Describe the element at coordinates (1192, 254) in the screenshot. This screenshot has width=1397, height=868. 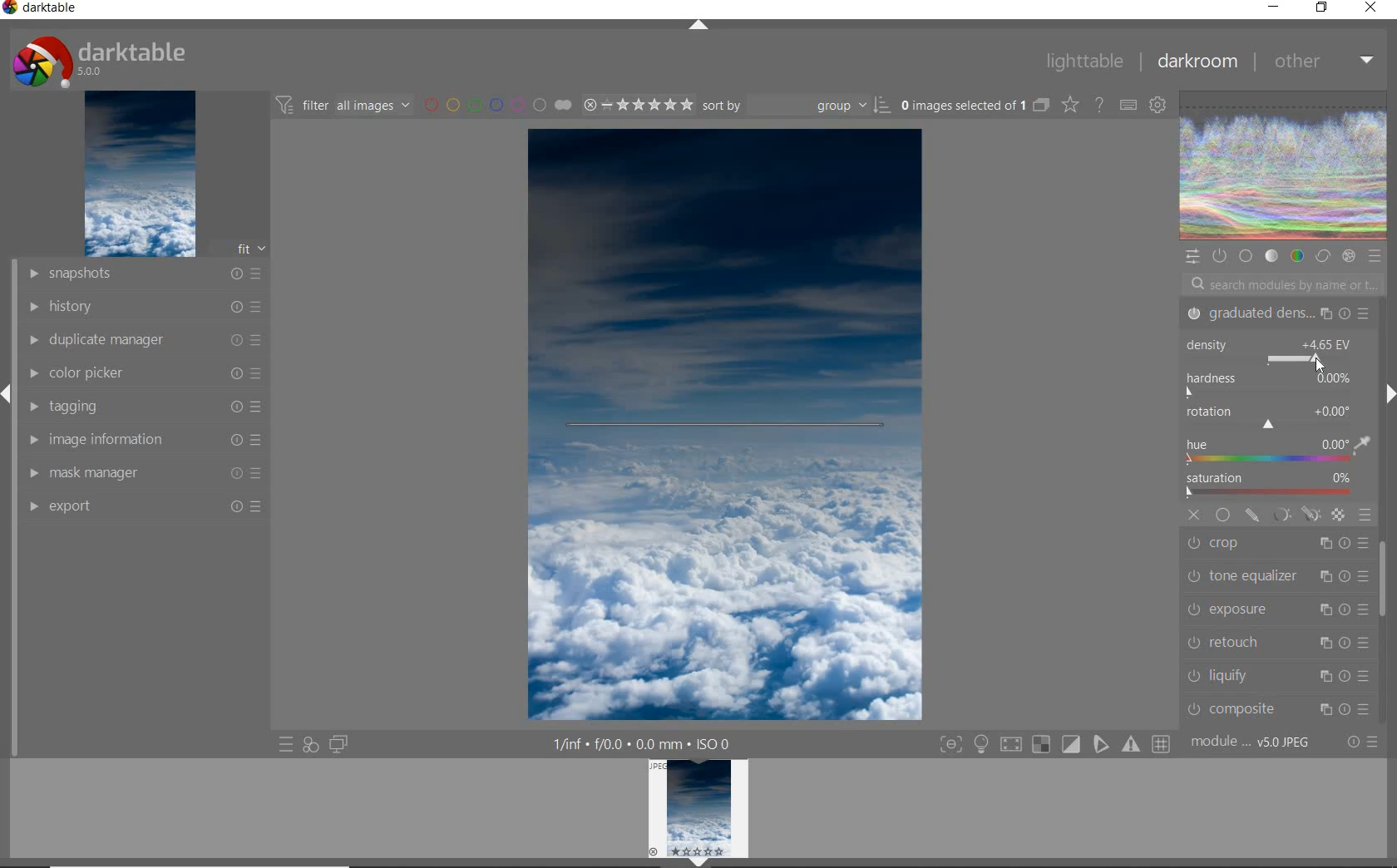
I see `QUICK ACCESS PANEL` at that location.